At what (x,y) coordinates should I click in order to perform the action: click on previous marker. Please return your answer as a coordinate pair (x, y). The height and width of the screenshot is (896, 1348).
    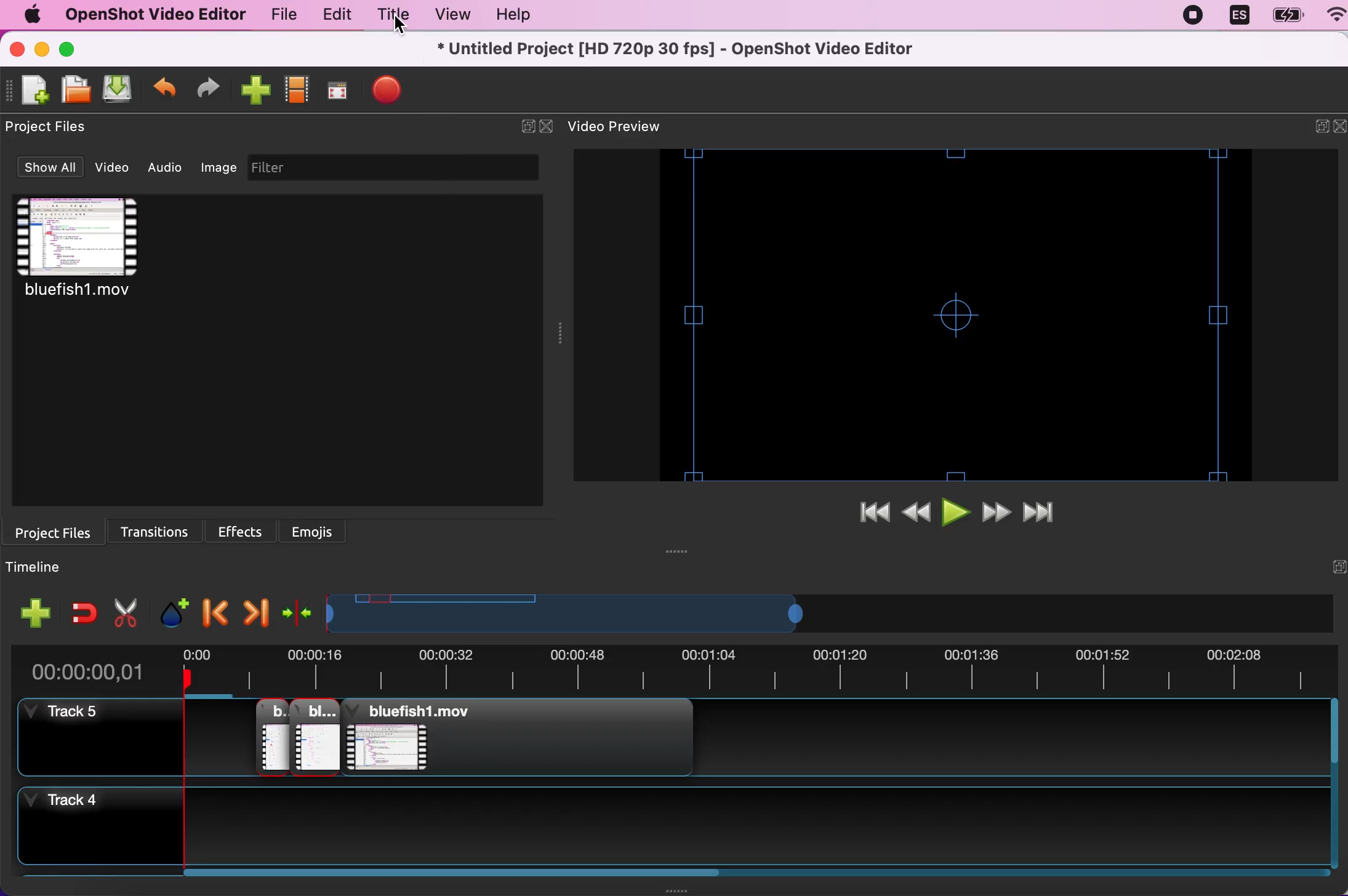
    Looking at the image, I should click on (214, 609).